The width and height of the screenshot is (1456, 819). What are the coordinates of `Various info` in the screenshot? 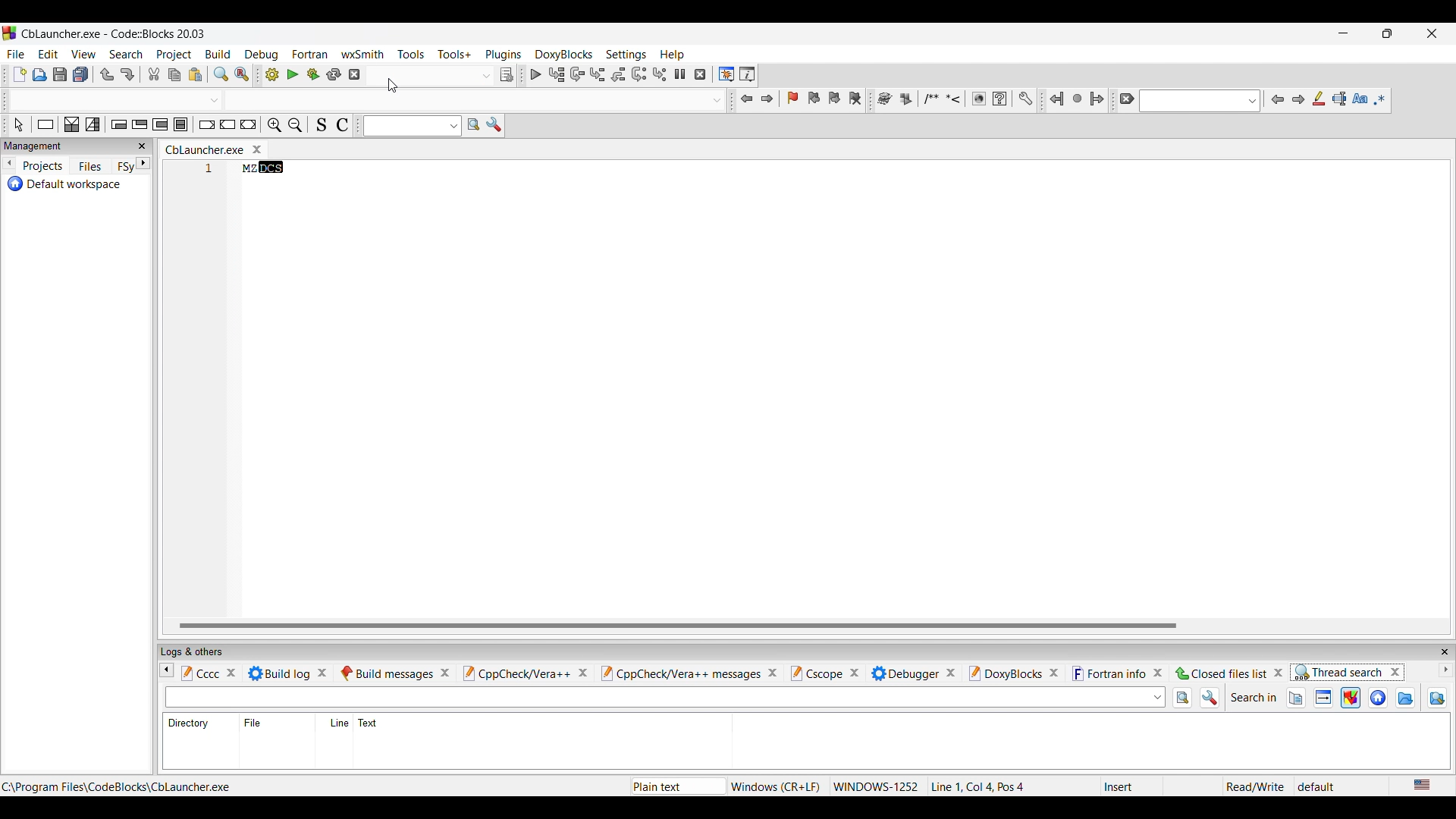 It's located at (747, 74).